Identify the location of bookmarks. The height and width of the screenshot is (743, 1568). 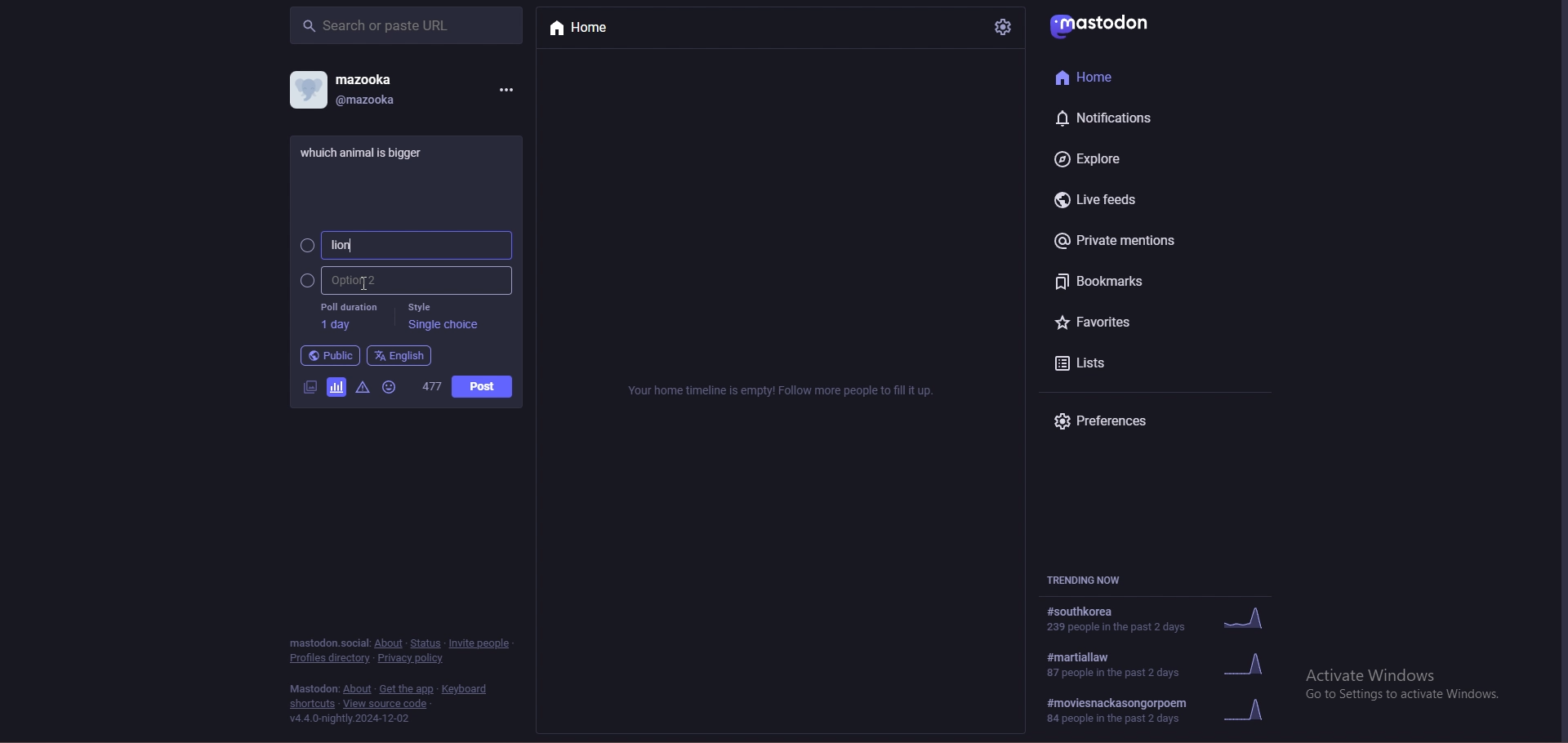
(1126, 281).